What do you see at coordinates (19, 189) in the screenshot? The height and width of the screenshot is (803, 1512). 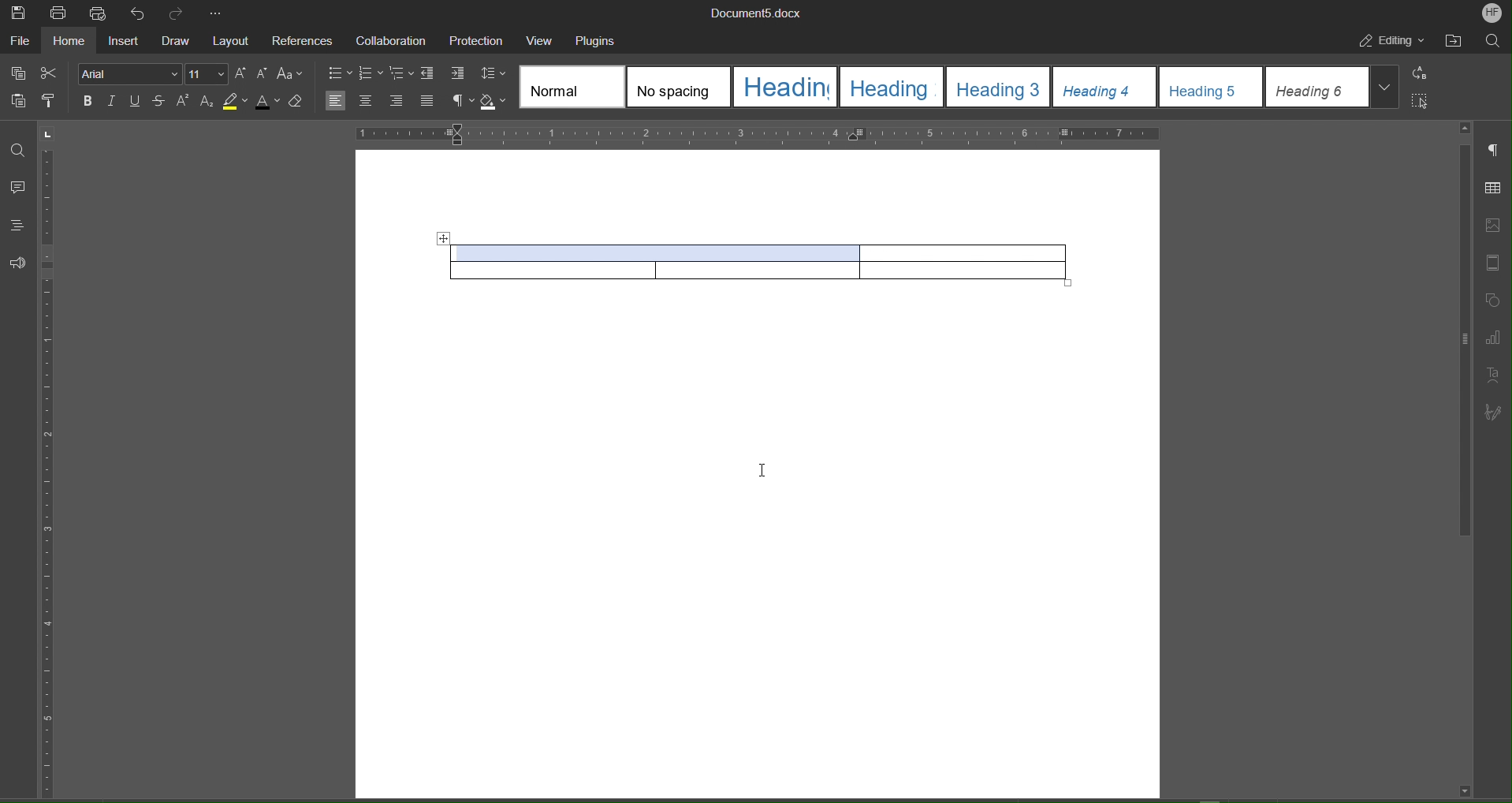 I see `Comment` at bounding box center [19, 189].